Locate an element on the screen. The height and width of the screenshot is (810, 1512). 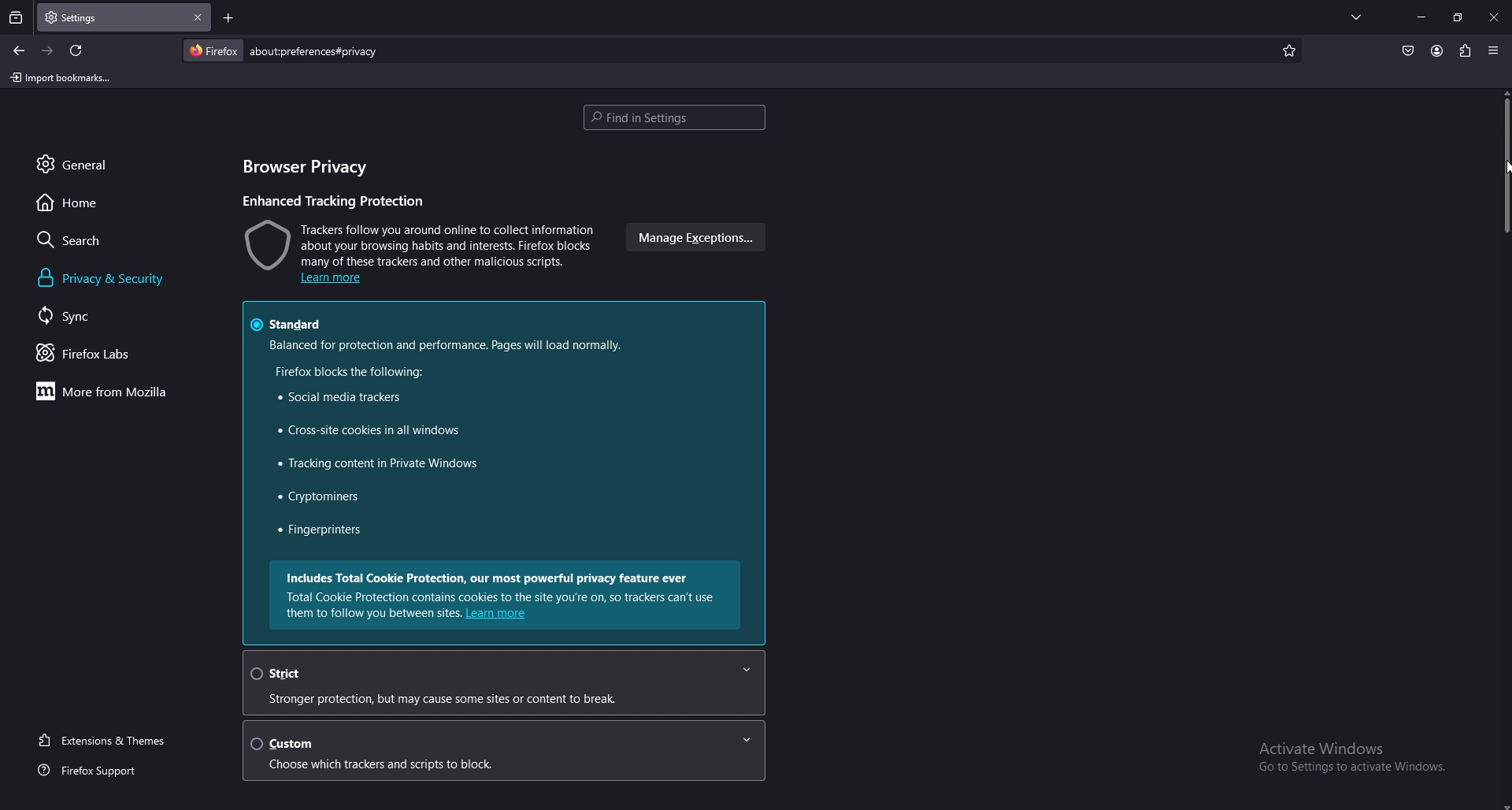
refresh is located at coordinates (77, 50).